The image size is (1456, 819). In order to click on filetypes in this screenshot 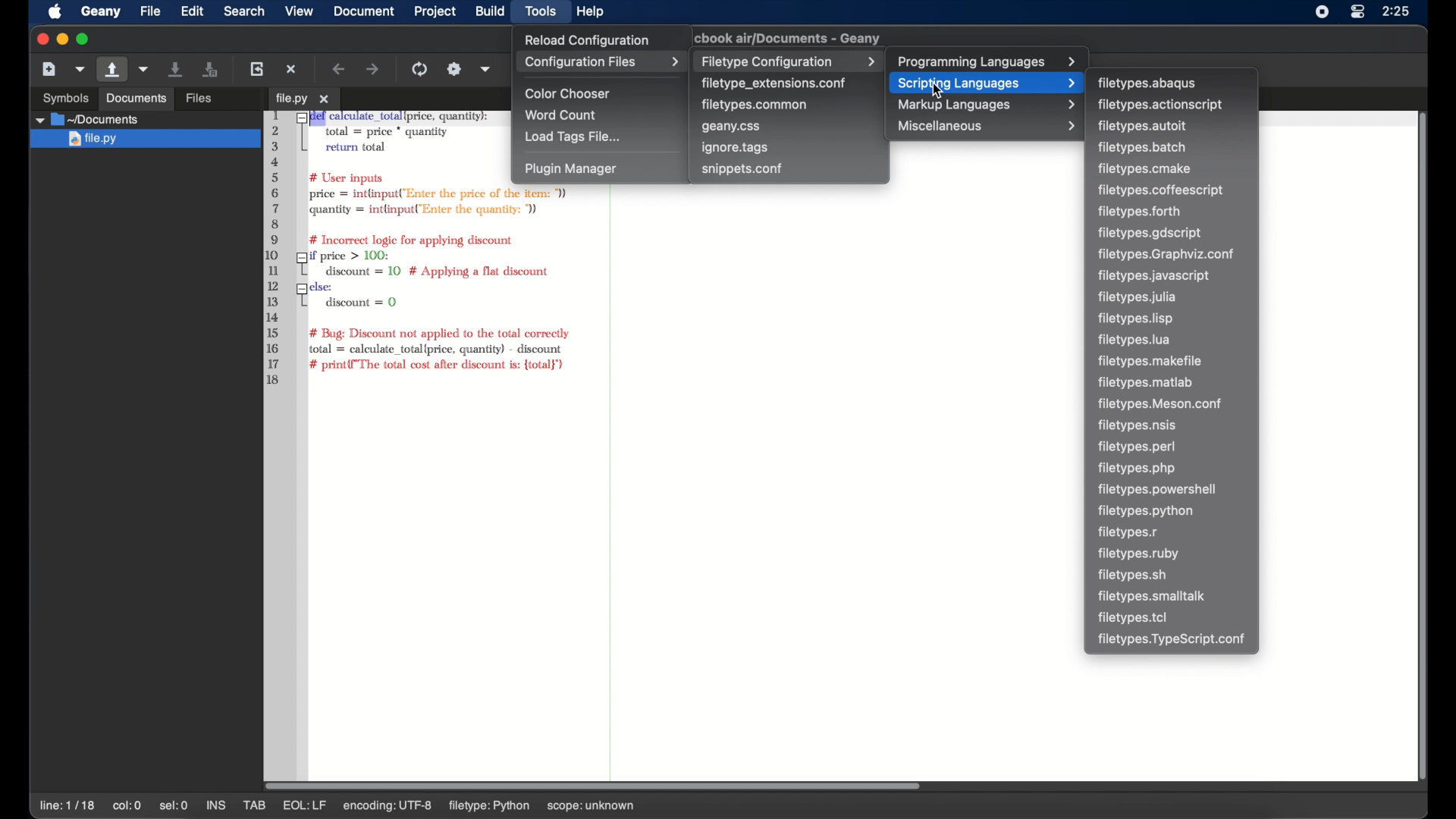, I will do `click(1147, 383)`.